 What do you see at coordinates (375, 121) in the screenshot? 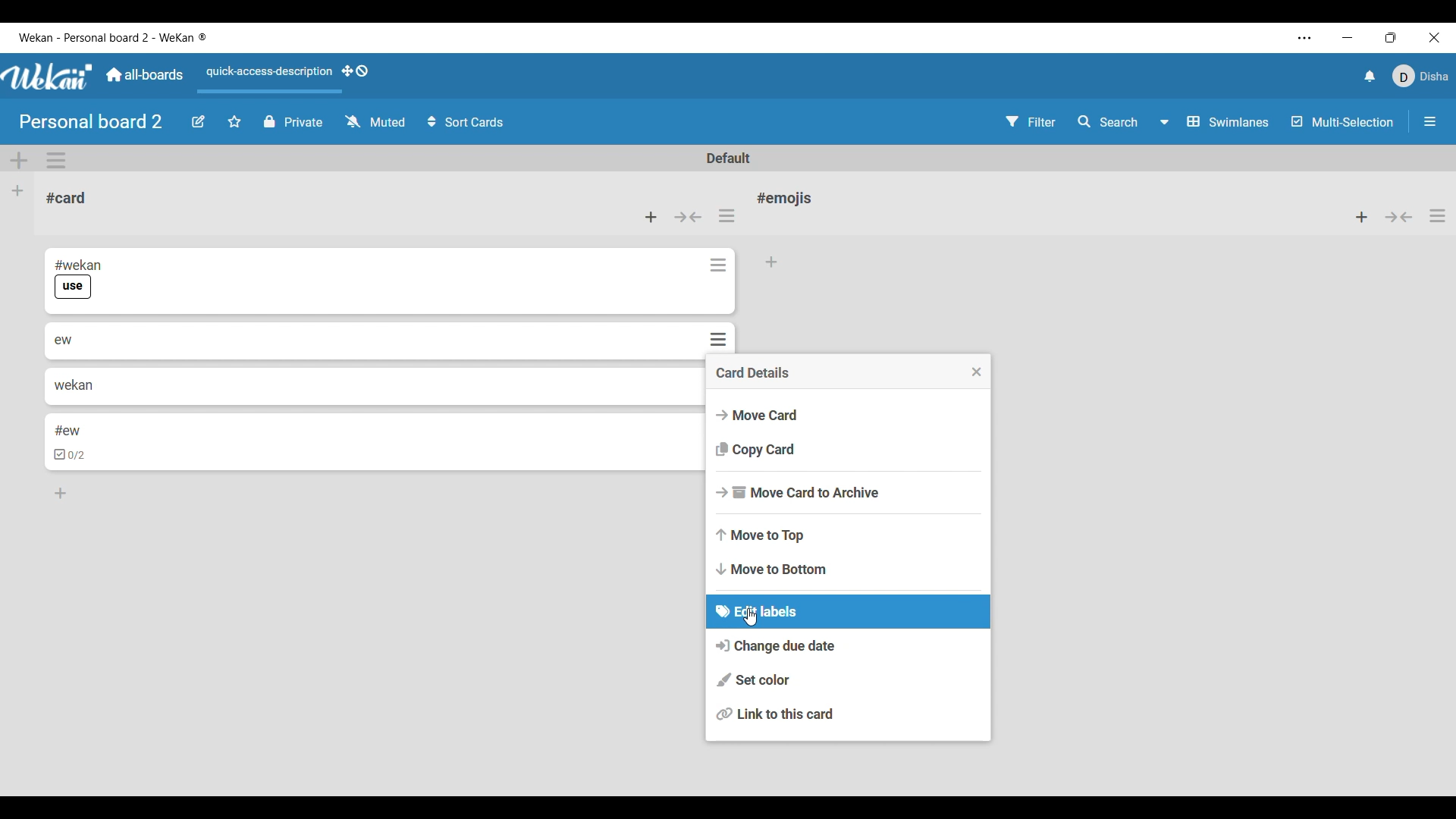
I see `Watch options` at bounding box center [375, 121].